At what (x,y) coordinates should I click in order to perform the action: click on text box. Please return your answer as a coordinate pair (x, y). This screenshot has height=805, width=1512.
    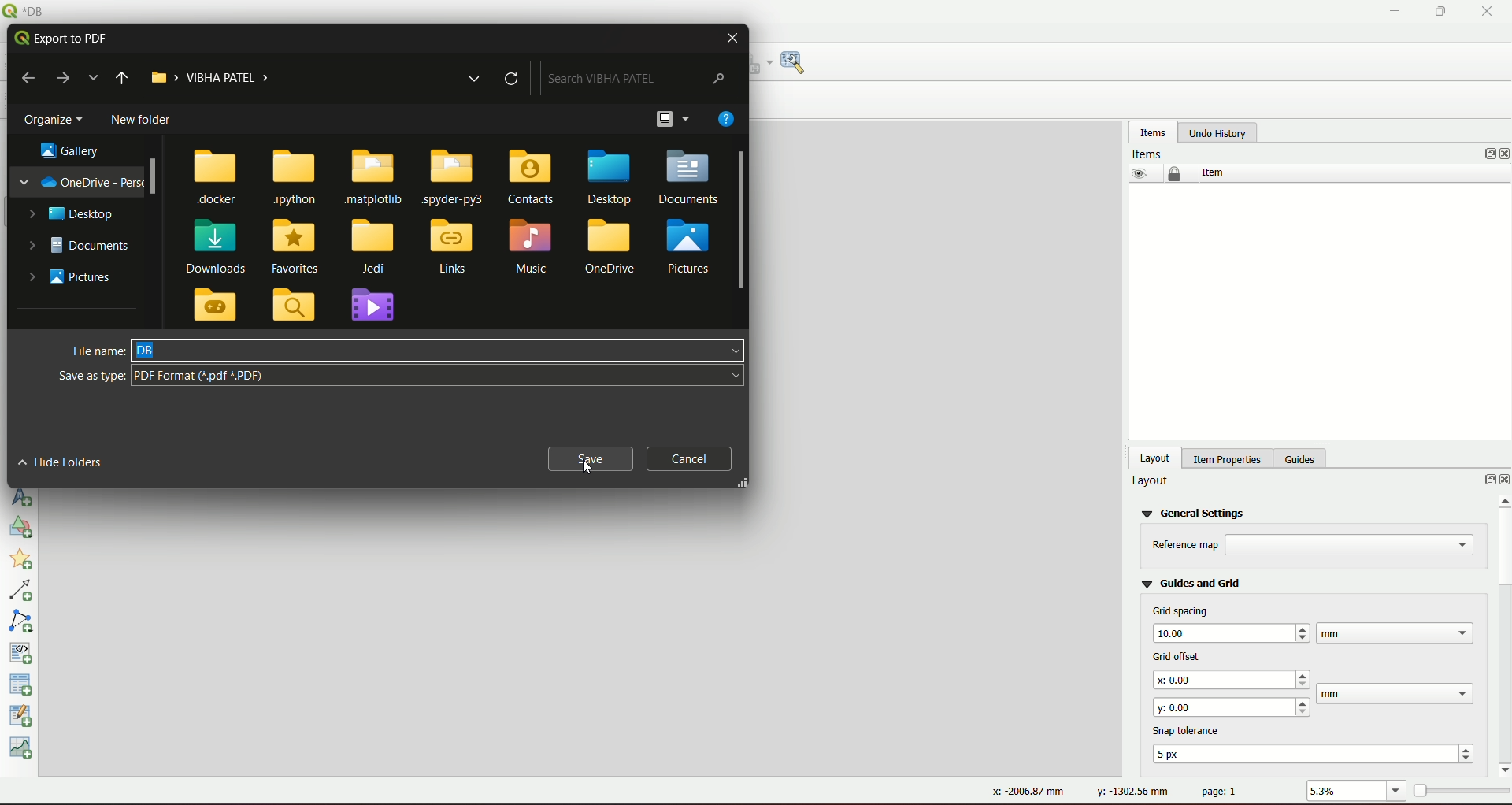
    Looking at the image, I should click on (439, 376).